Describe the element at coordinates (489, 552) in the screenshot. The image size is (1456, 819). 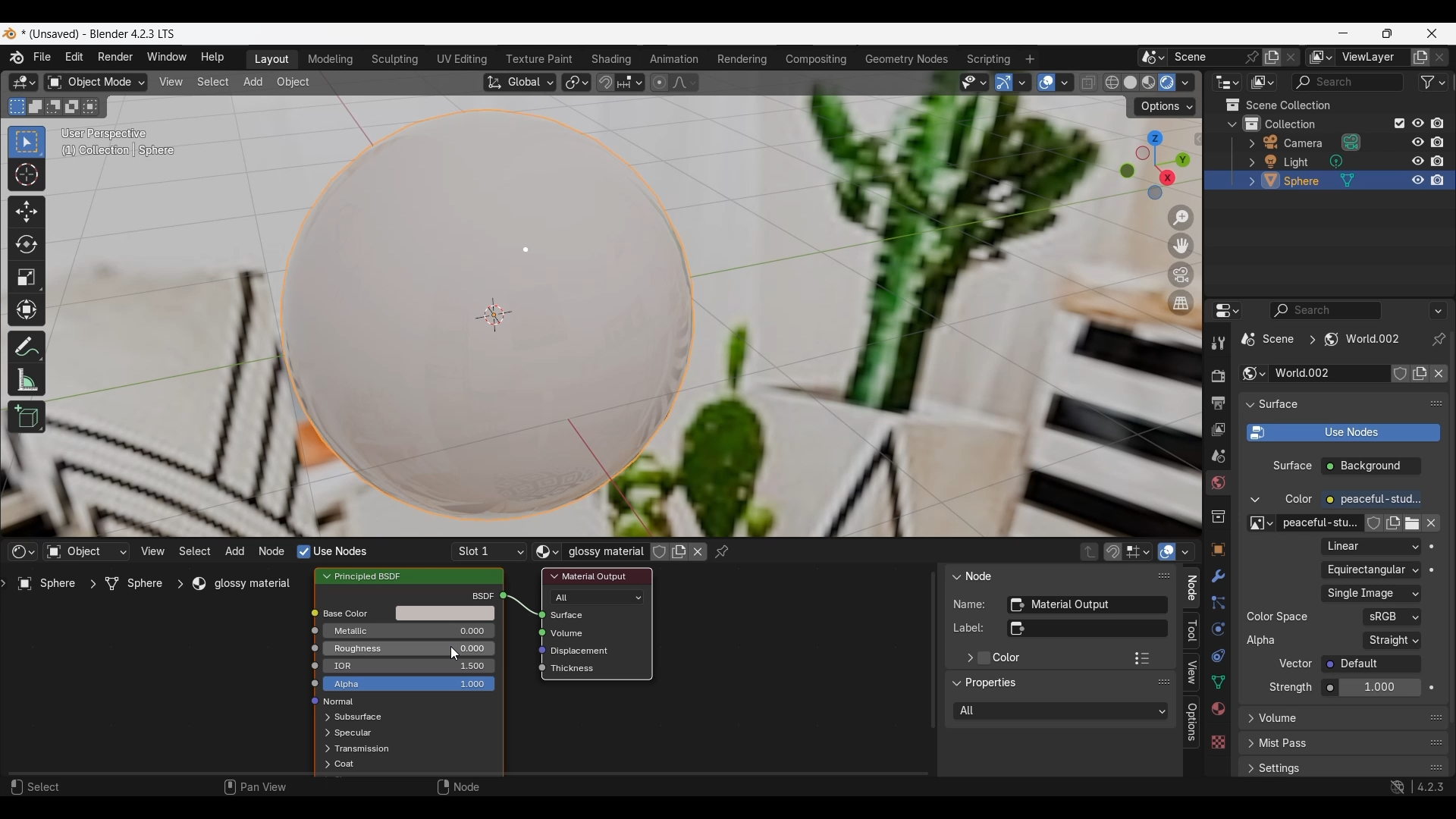
I see `List of slots` at that location.